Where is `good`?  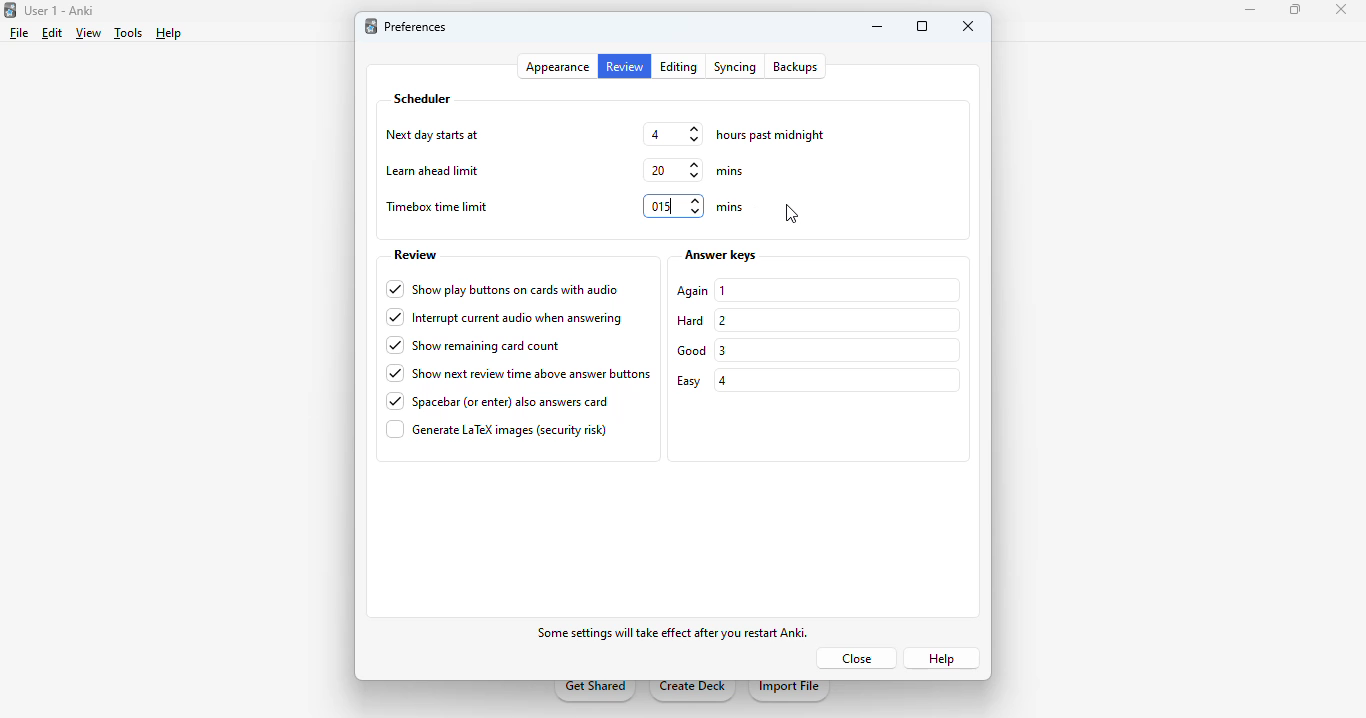
good is located at coordinates (693, 350).